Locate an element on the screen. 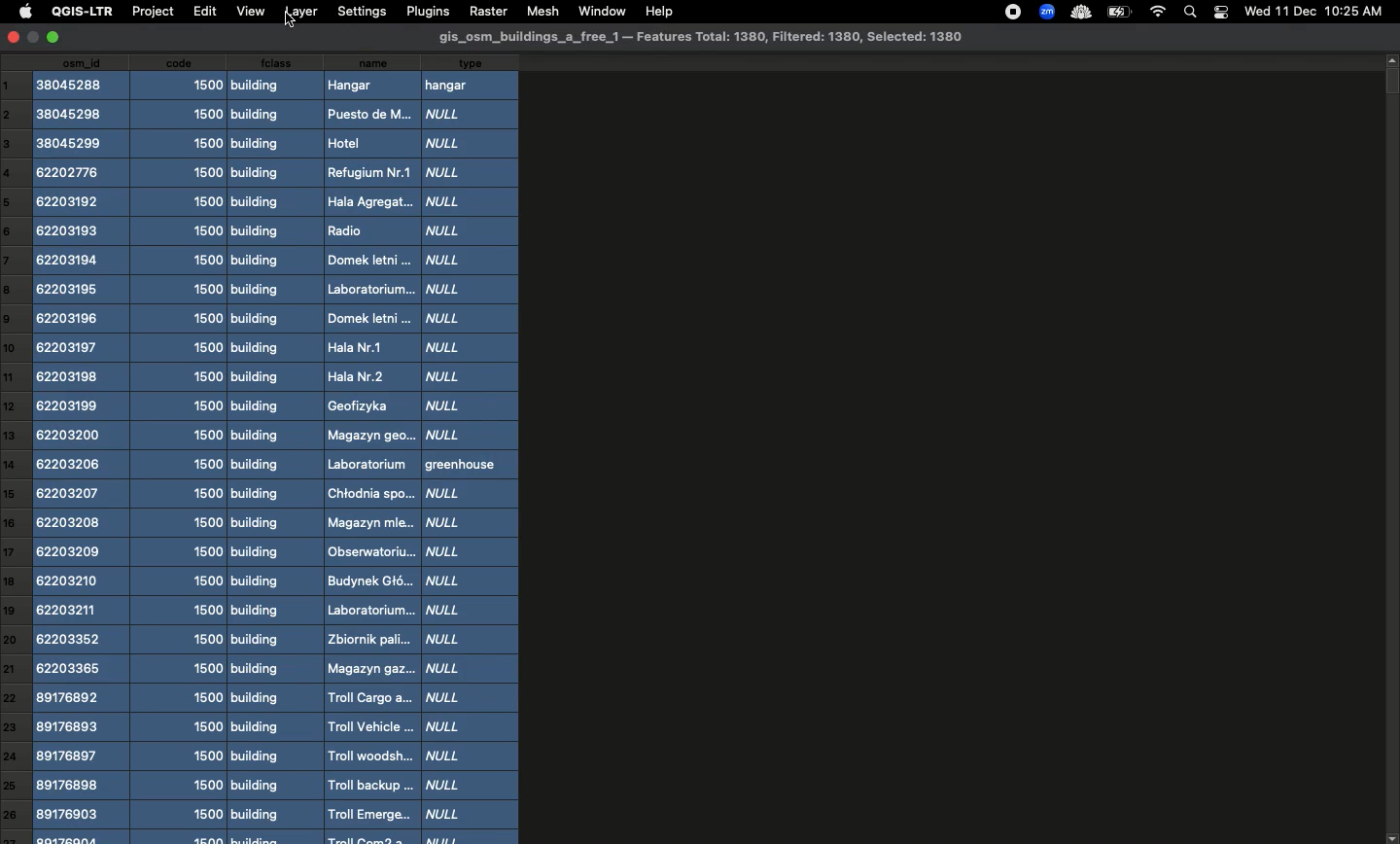  Help is located at coordinates (658, 13).